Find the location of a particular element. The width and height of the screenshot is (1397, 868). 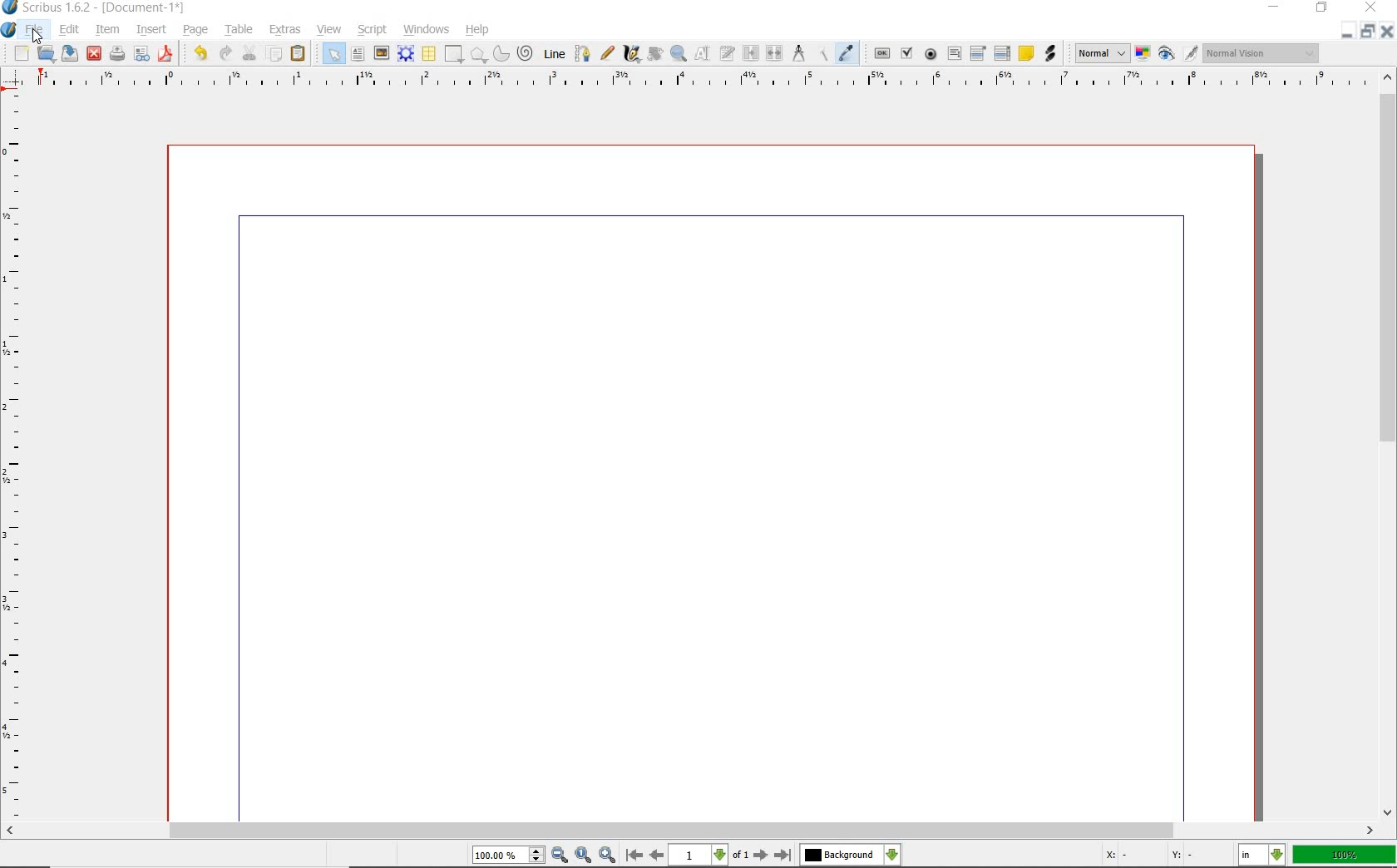

polygon is located at coordinates (478, 55).